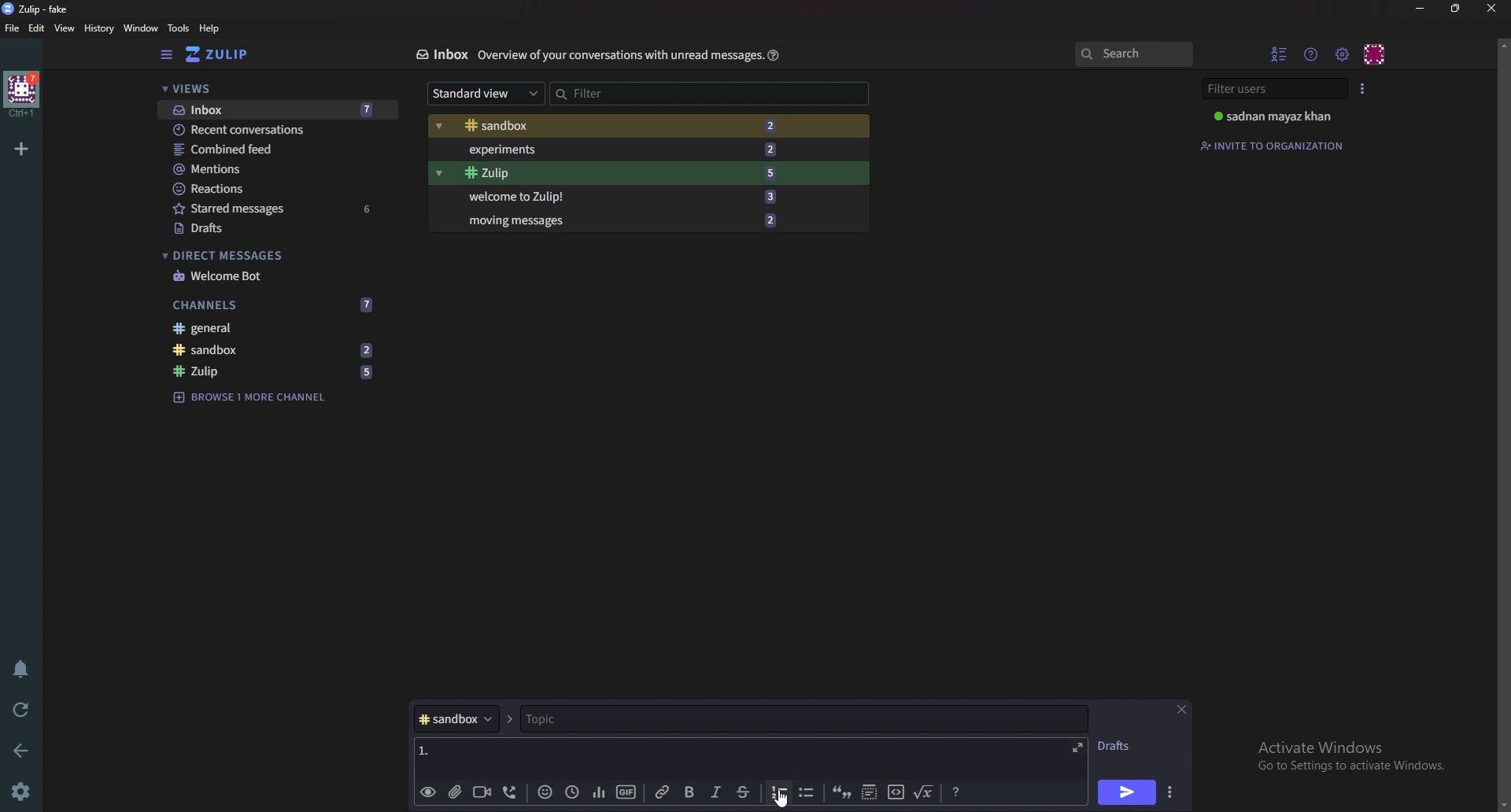  What do you see at coordinates (622, 149) in the screenshot?
I see `Experiments` at bounding box center [622, 149].